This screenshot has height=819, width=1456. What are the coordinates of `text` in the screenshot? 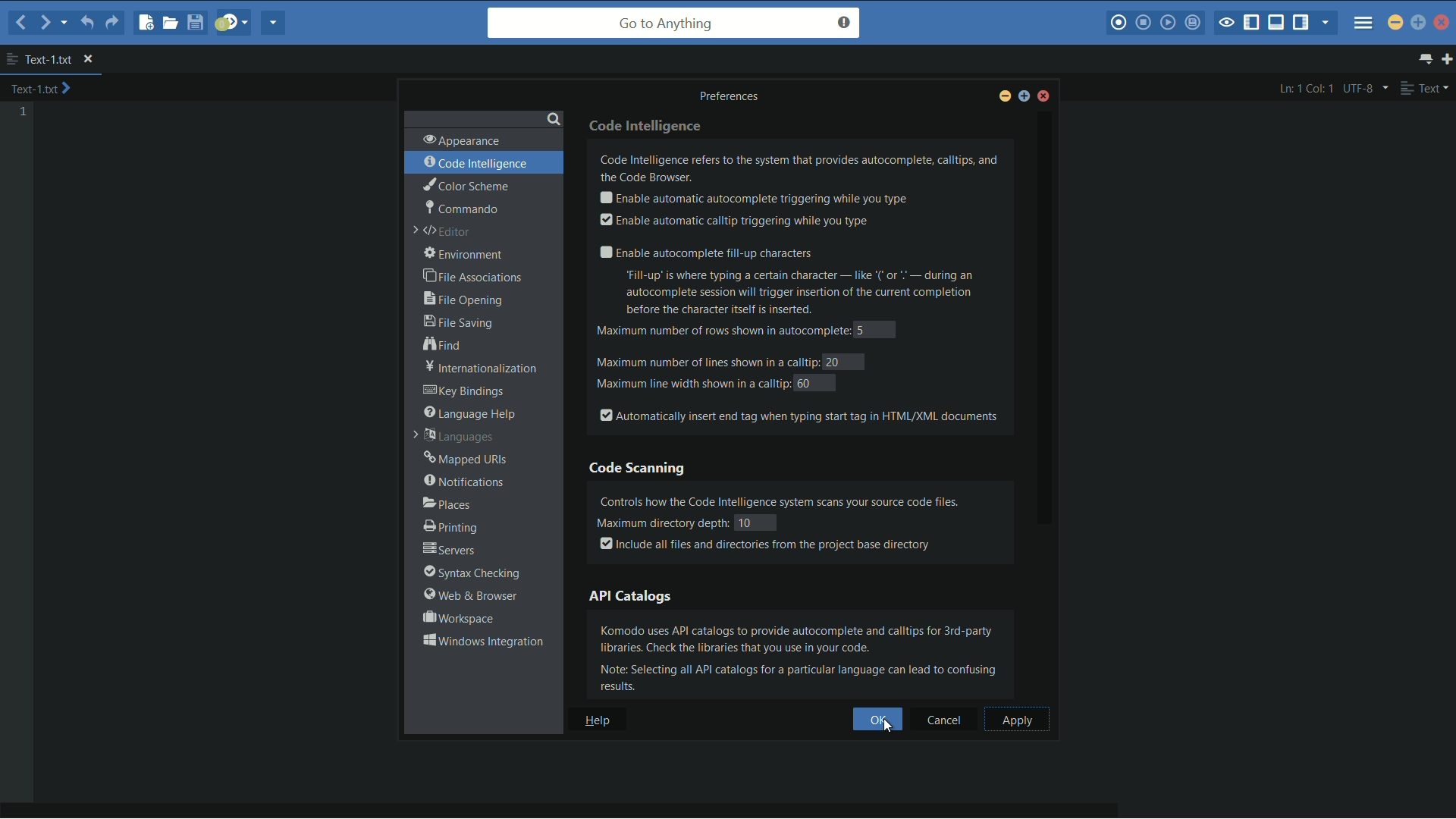 It's located at (1424, 88).